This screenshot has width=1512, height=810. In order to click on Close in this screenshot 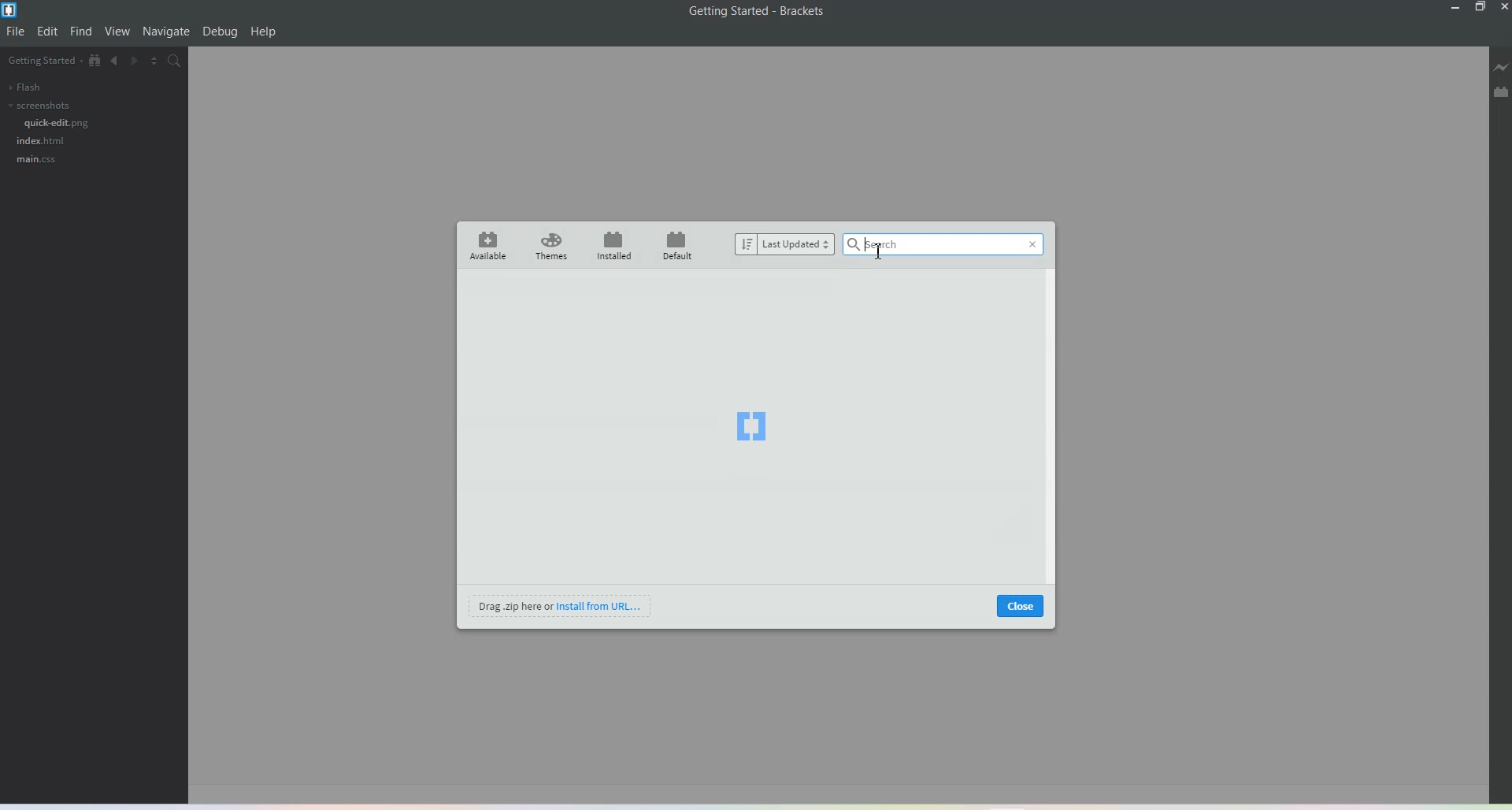, I will do `click(1032, 247)`.